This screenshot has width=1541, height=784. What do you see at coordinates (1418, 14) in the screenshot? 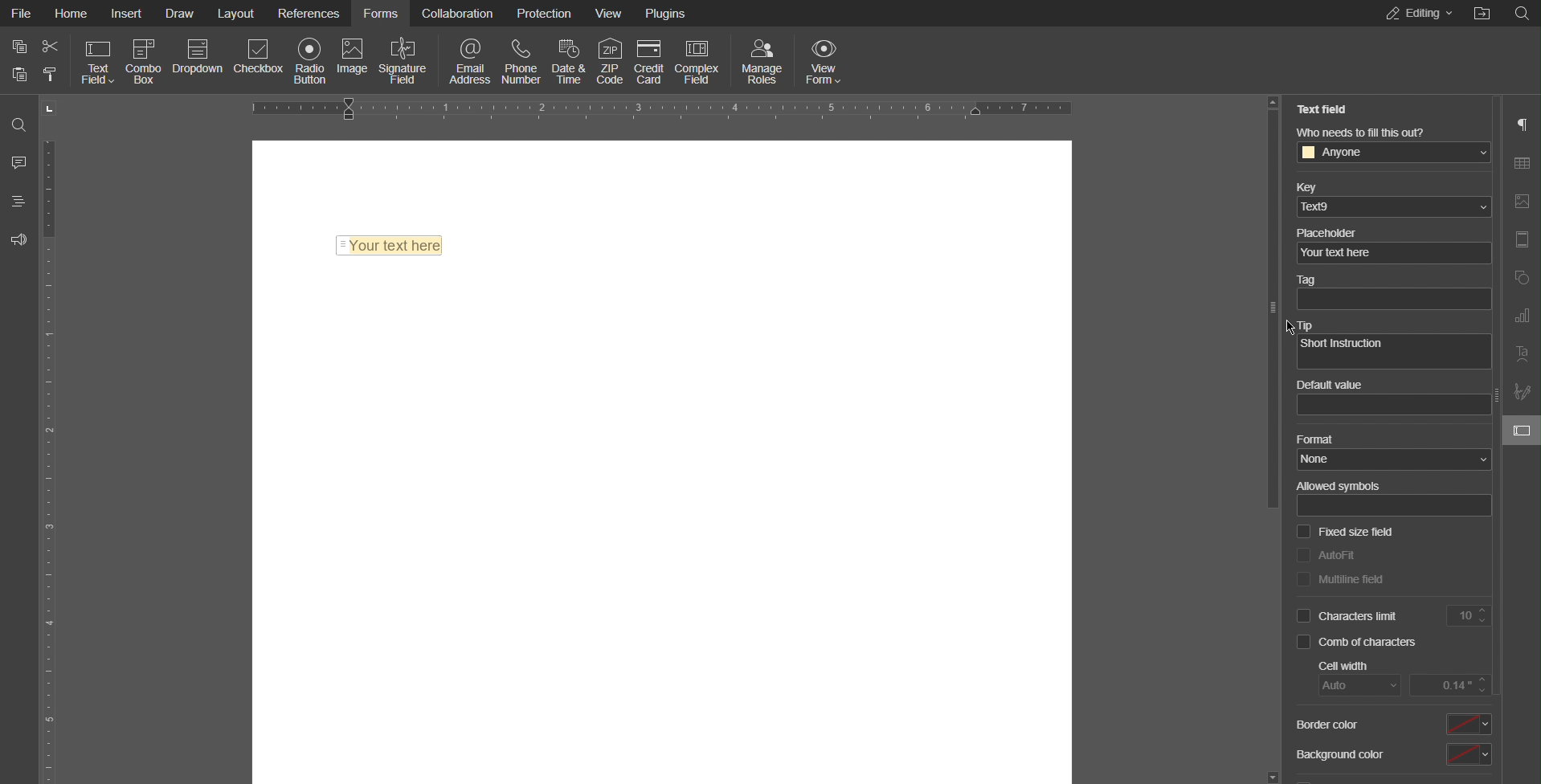
I see `Editing` at bounding box center [1418, 14].